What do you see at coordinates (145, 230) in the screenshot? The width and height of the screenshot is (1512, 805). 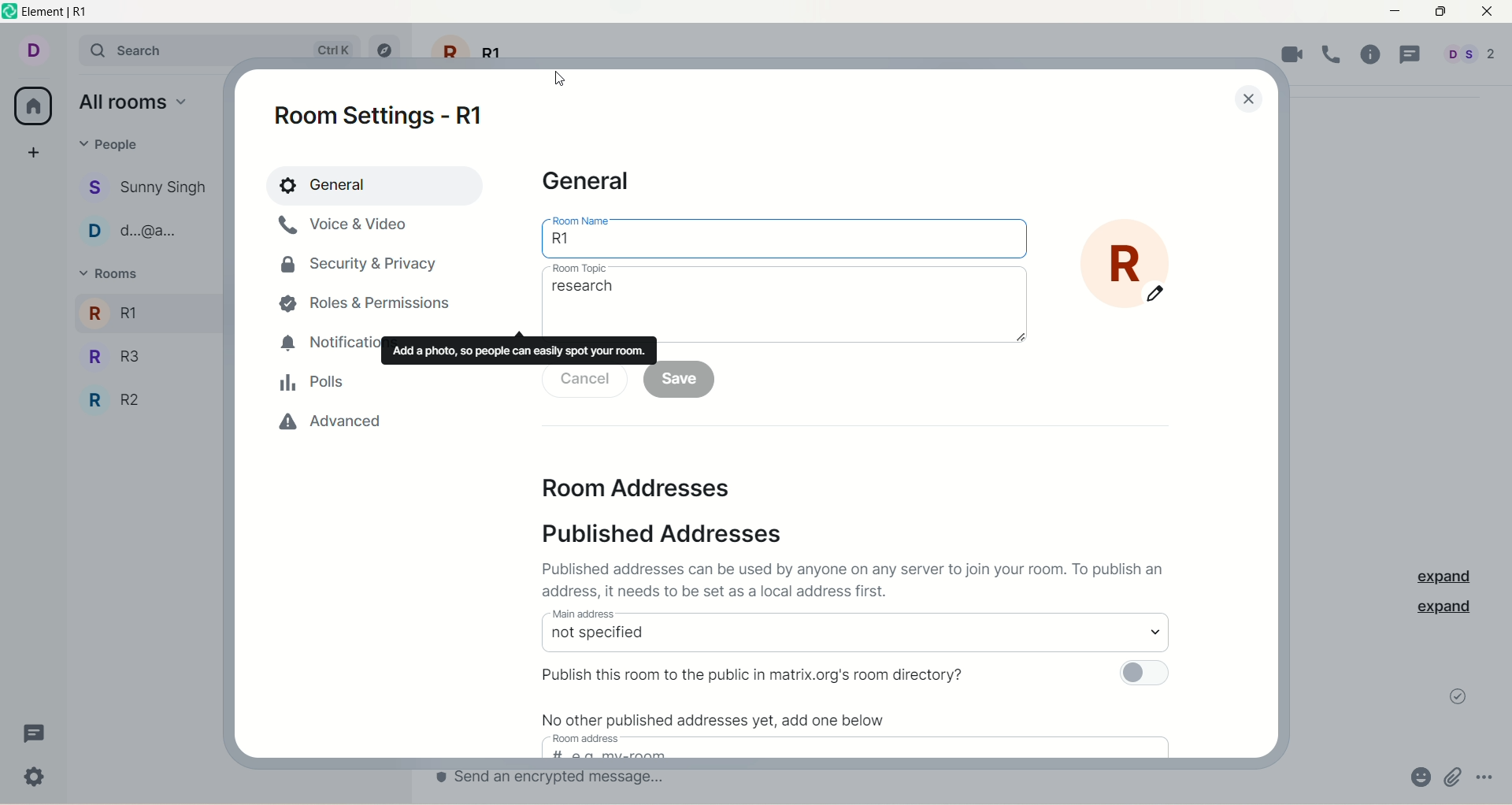 I see `people` at bounding box center [145, 230].